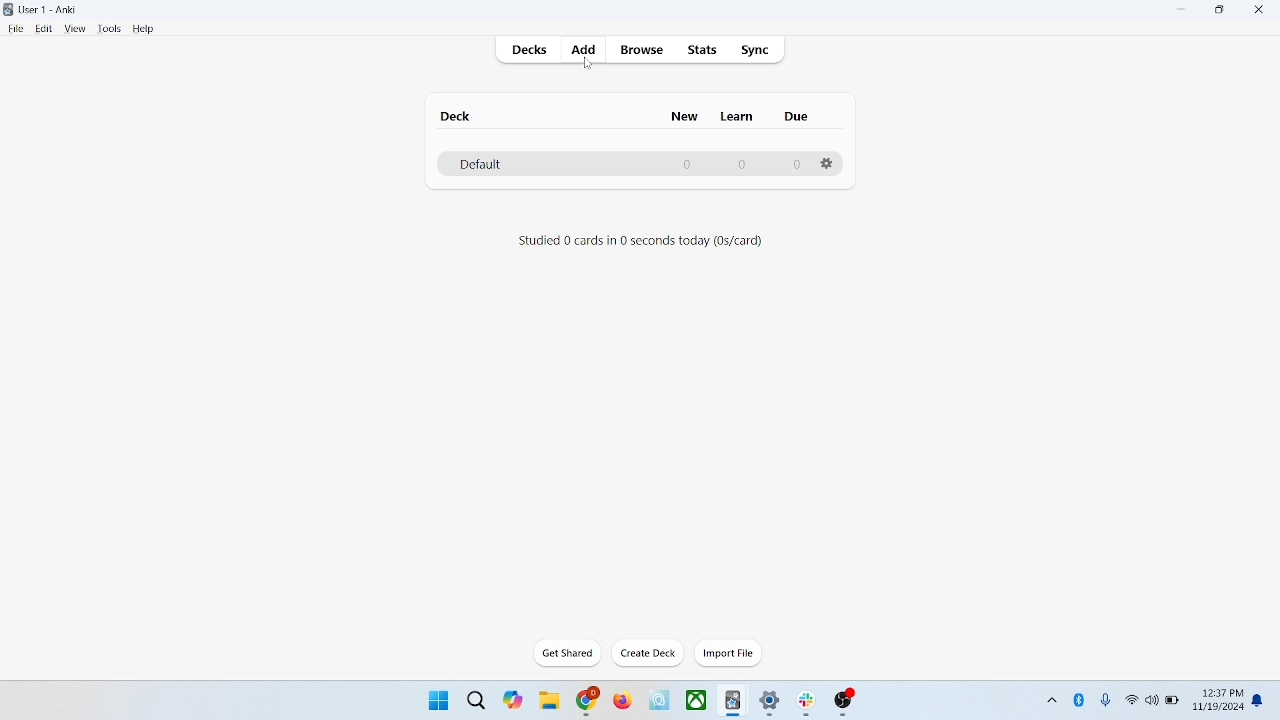  I want to click on 0, so click(796, 165).